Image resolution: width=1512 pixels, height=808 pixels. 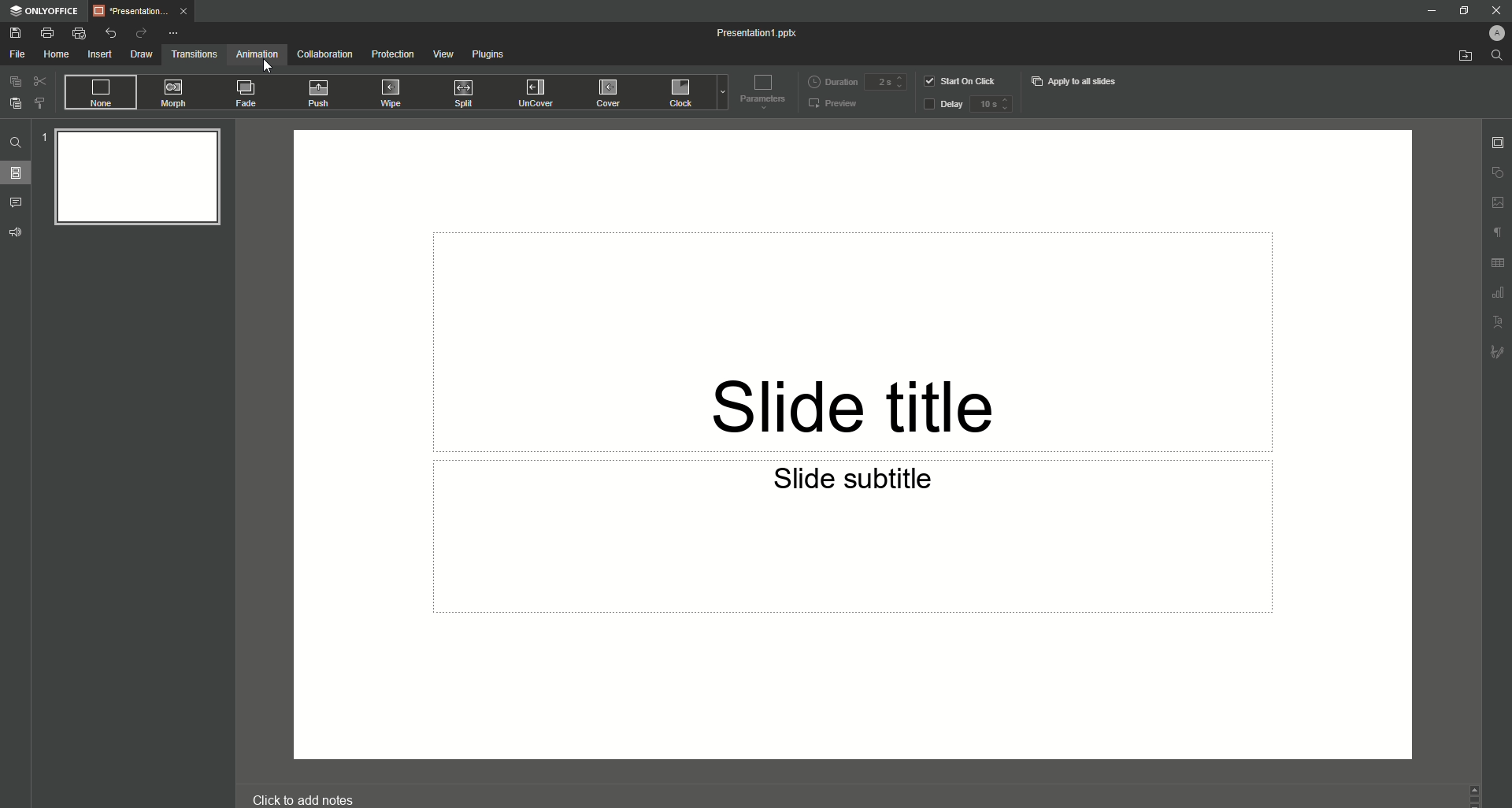 I want to click on Paragraph Settings, so click(x=1496, y=235).